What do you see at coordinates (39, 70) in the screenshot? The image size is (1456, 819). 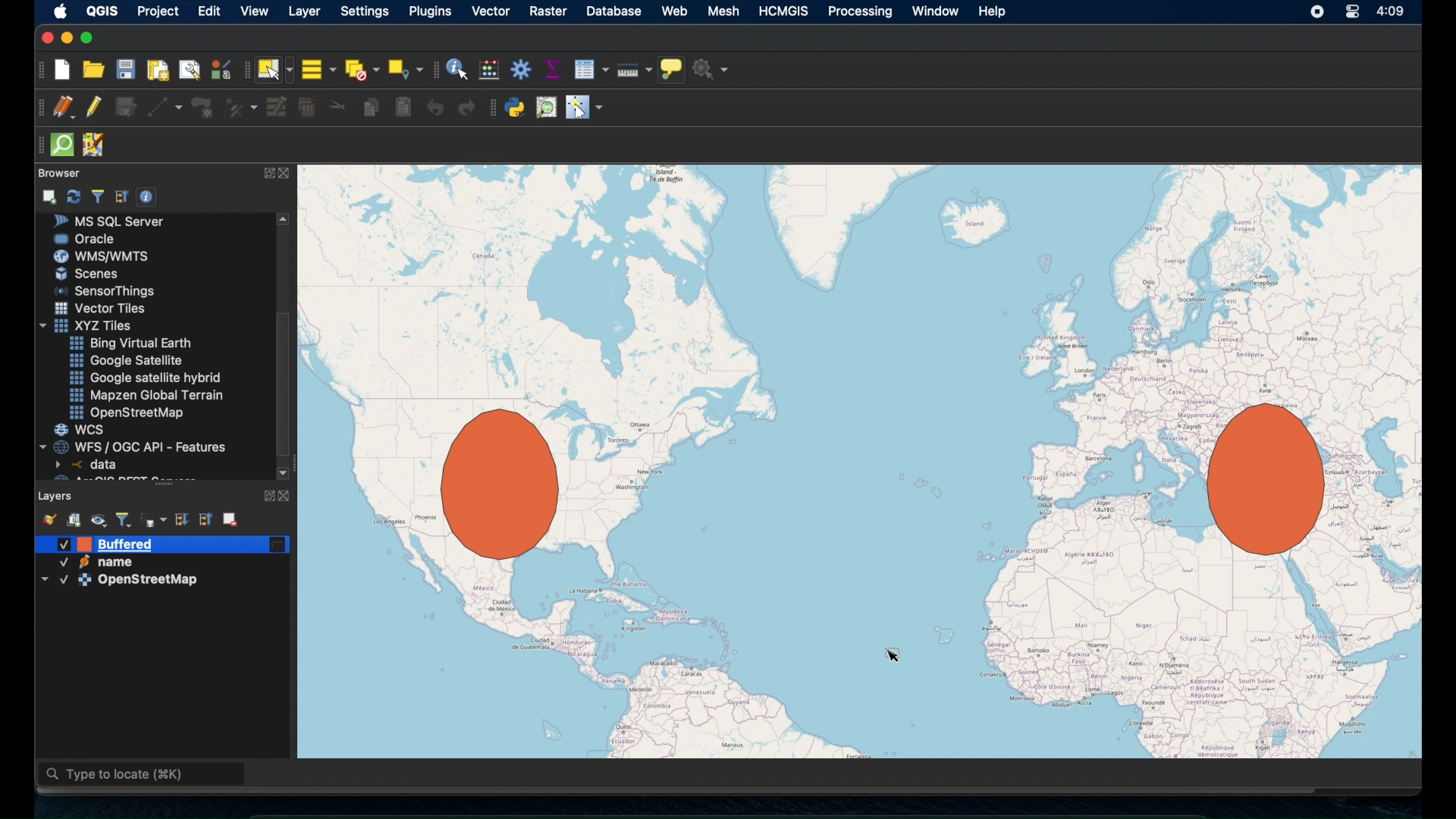 I see `project toolbar` at bounding box center [39, 70].